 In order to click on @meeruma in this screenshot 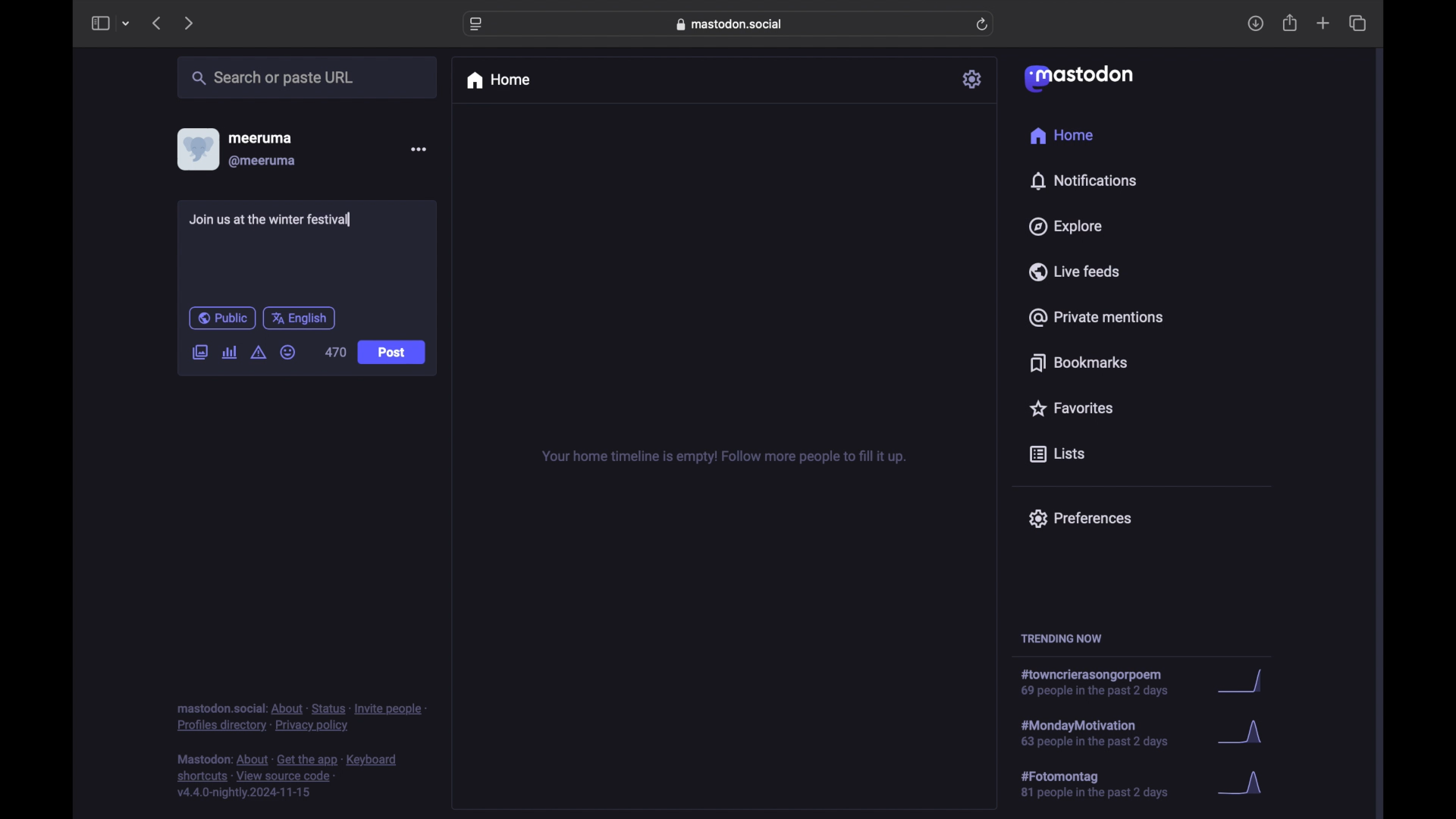, I will do `click(262, 162)`.